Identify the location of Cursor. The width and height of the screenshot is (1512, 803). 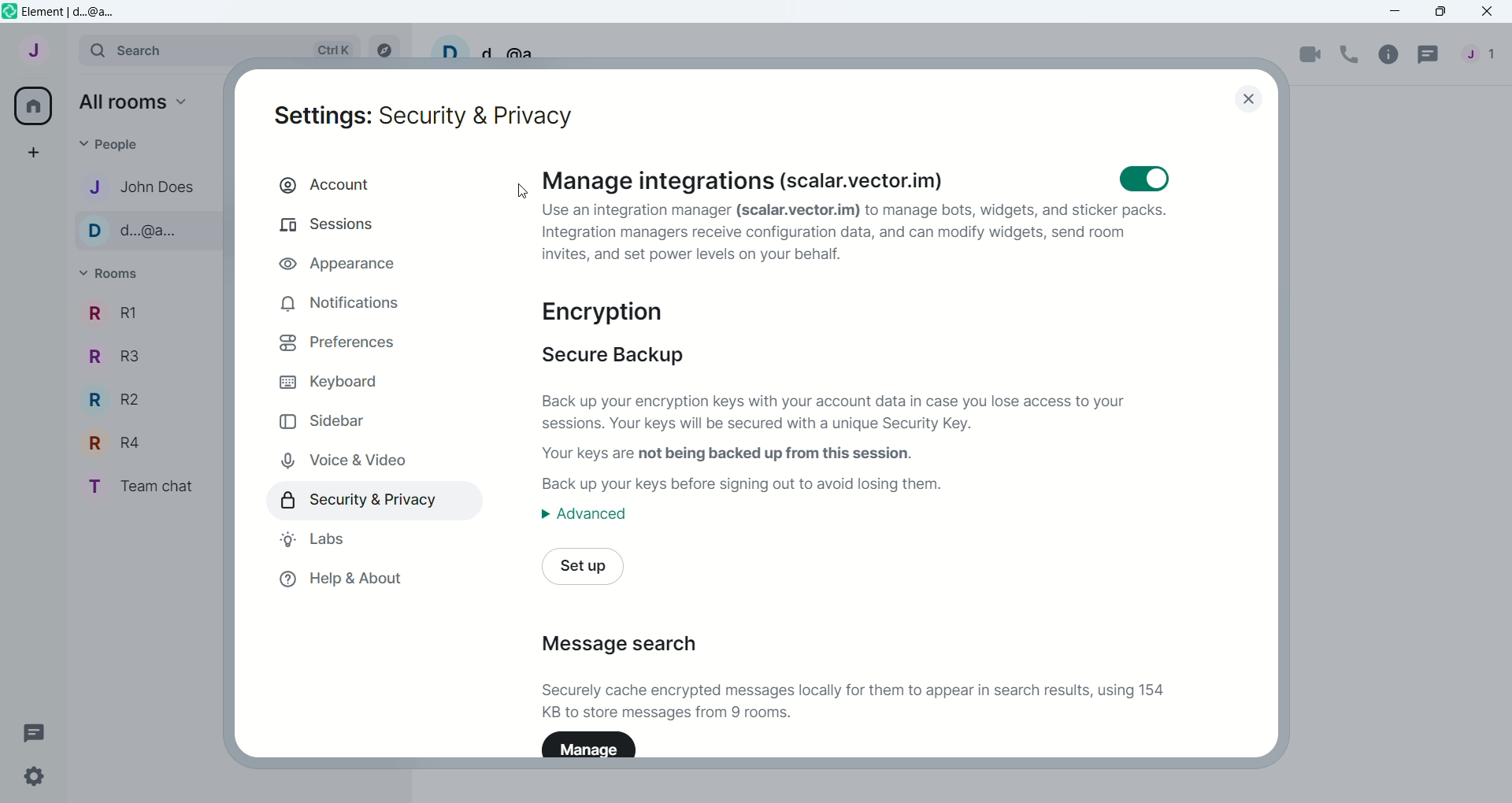
(522, 192).